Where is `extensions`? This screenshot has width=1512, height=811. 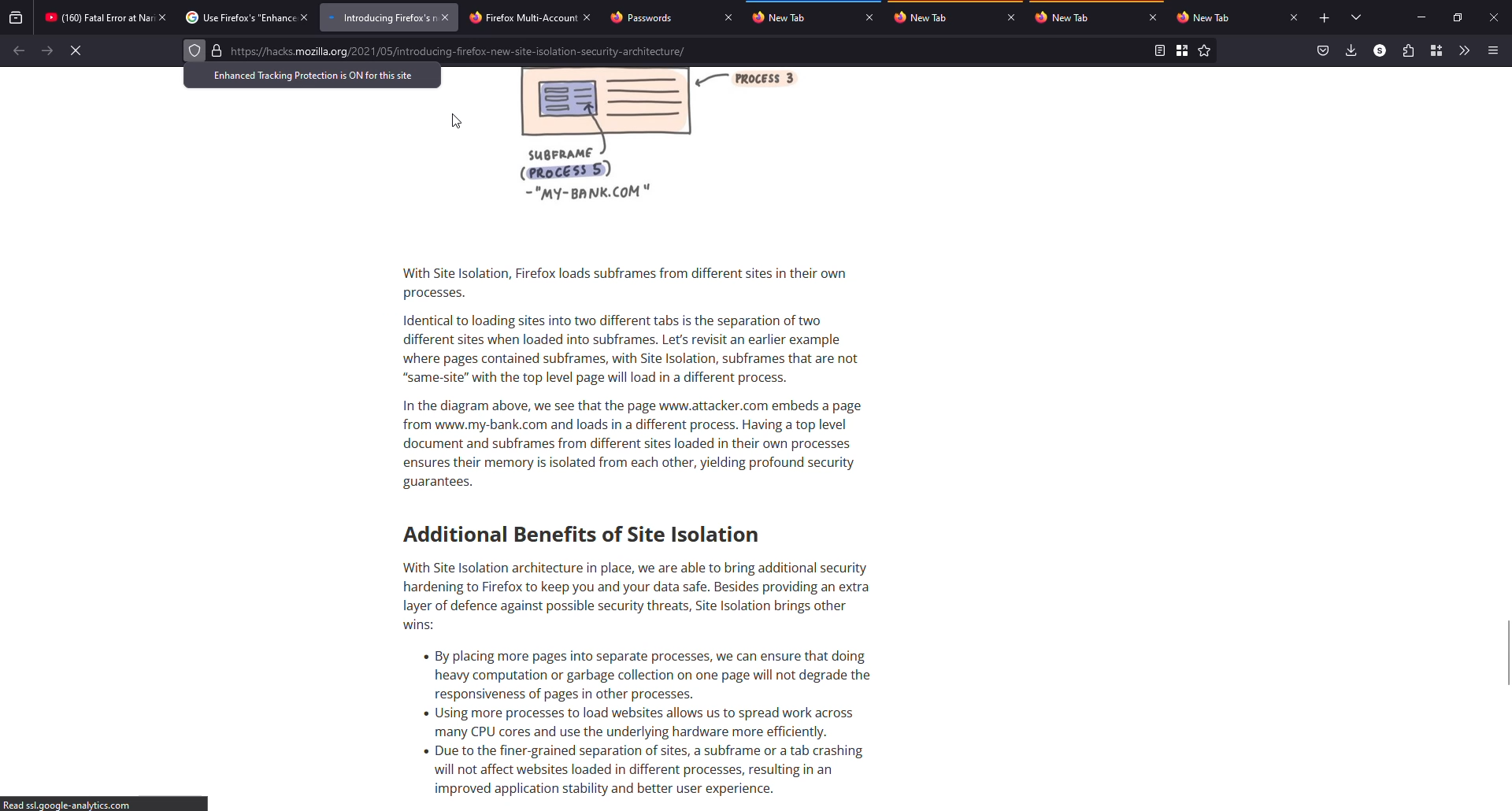 extensions is located at coordinates (1407, 50).